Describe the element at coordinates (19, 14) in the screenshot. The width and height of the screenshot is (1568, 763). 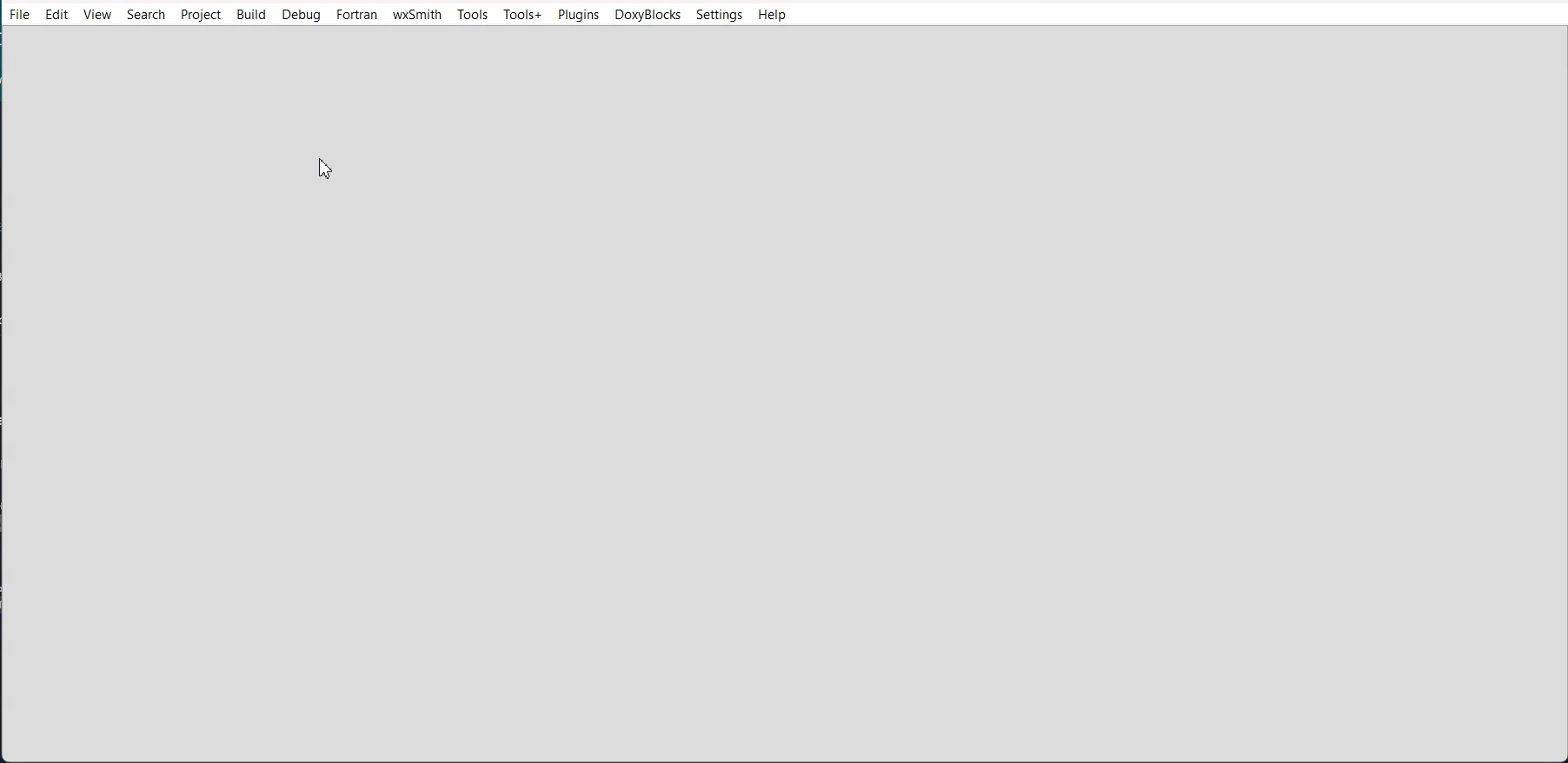
I see `File` at that location.